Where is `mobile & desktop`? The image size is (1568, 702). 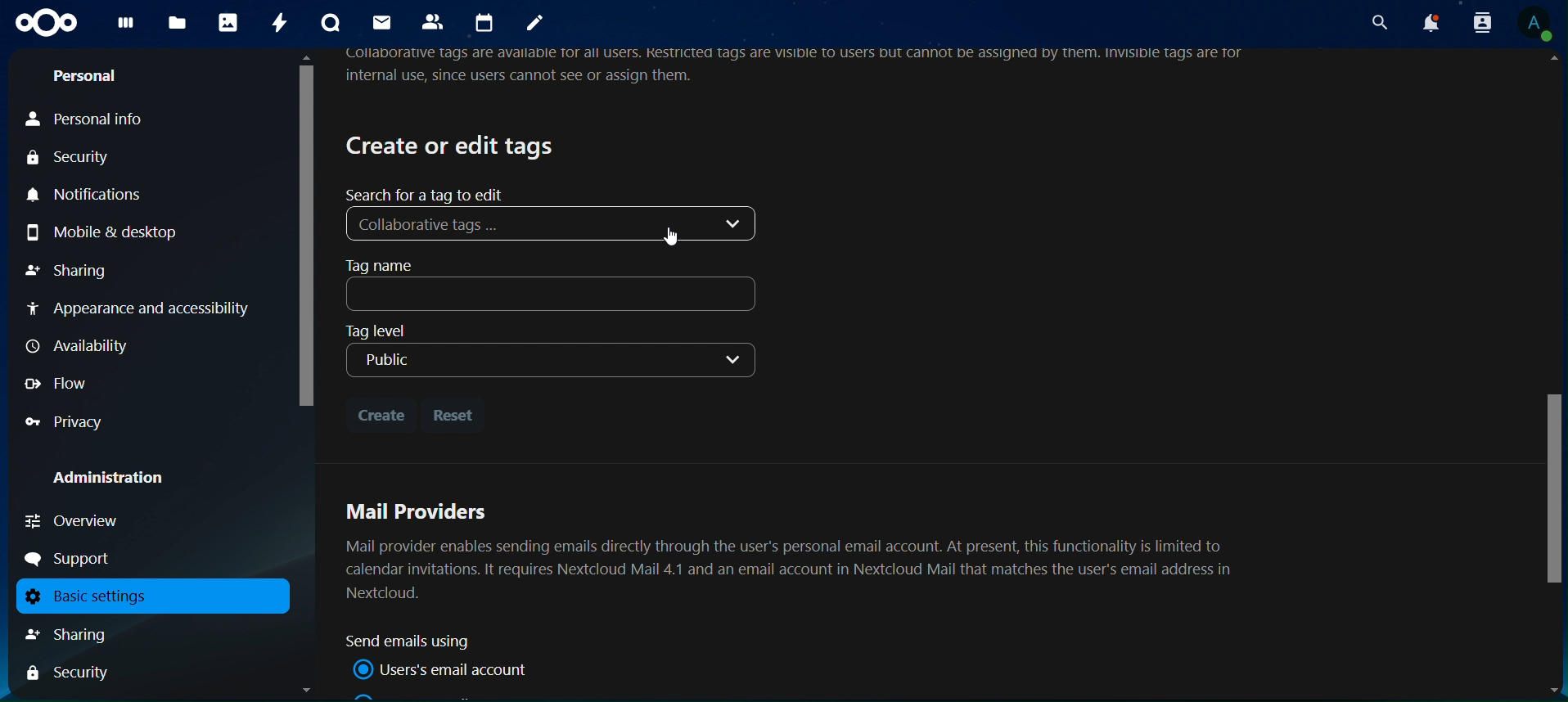 mobile & desktop is located at coordinates (125, 231).